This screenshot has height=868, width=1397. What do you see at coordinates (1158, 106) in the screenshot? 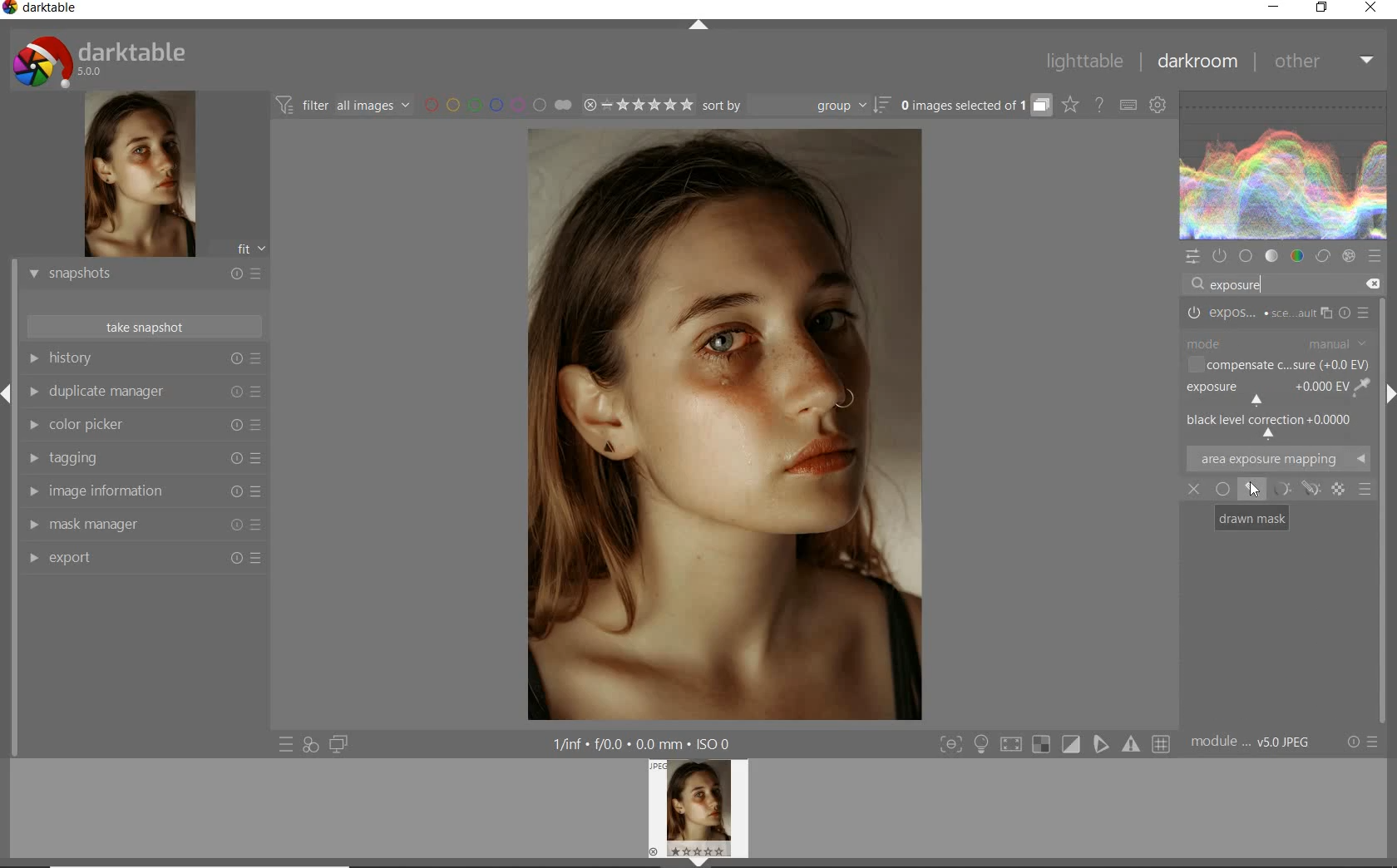
I see `show global preferences` at bounding box center [1158, 106].